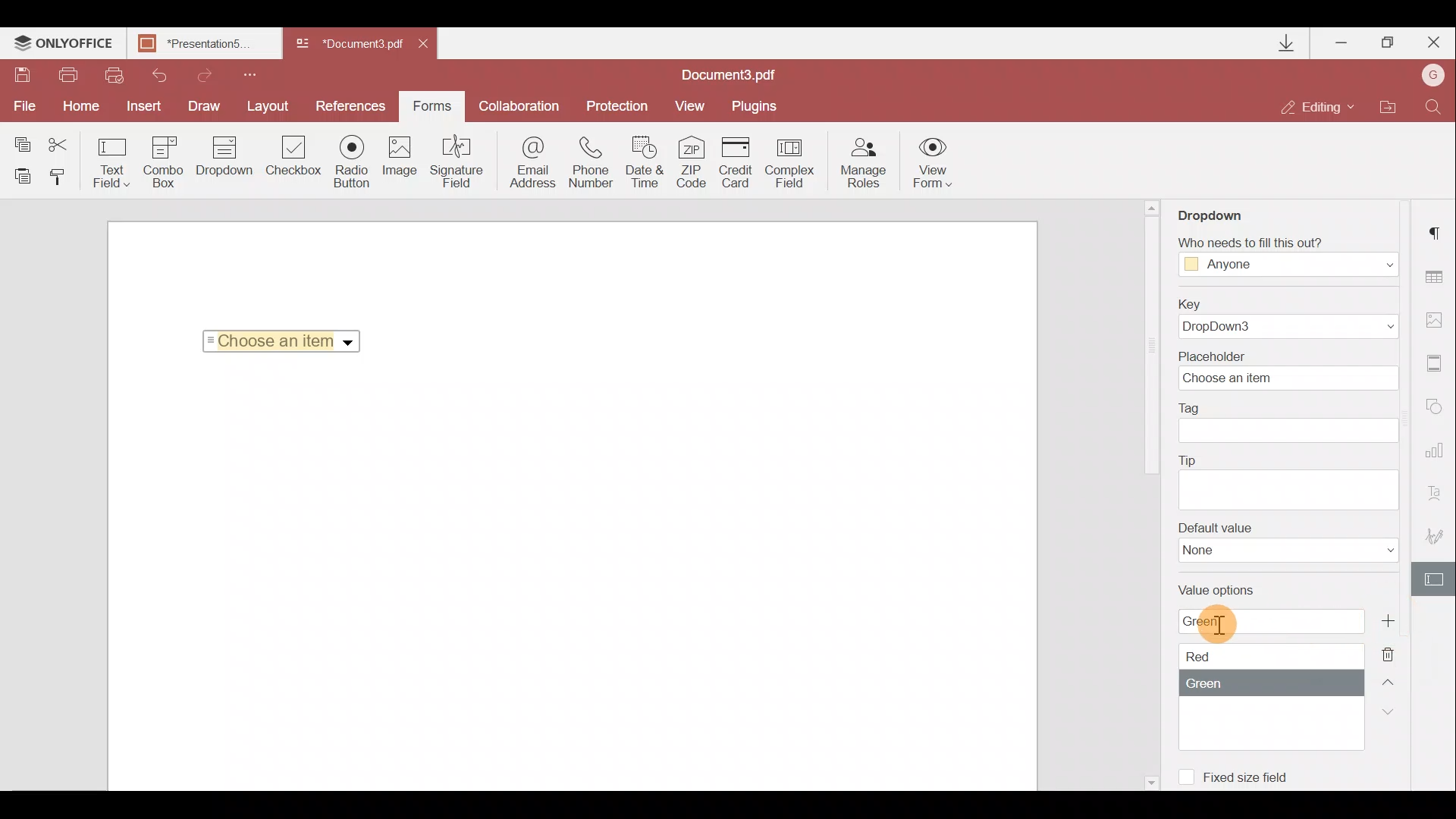 This screenshot has height=819, width=1456. I want to click on Shapes settings, so click(1439, 408).